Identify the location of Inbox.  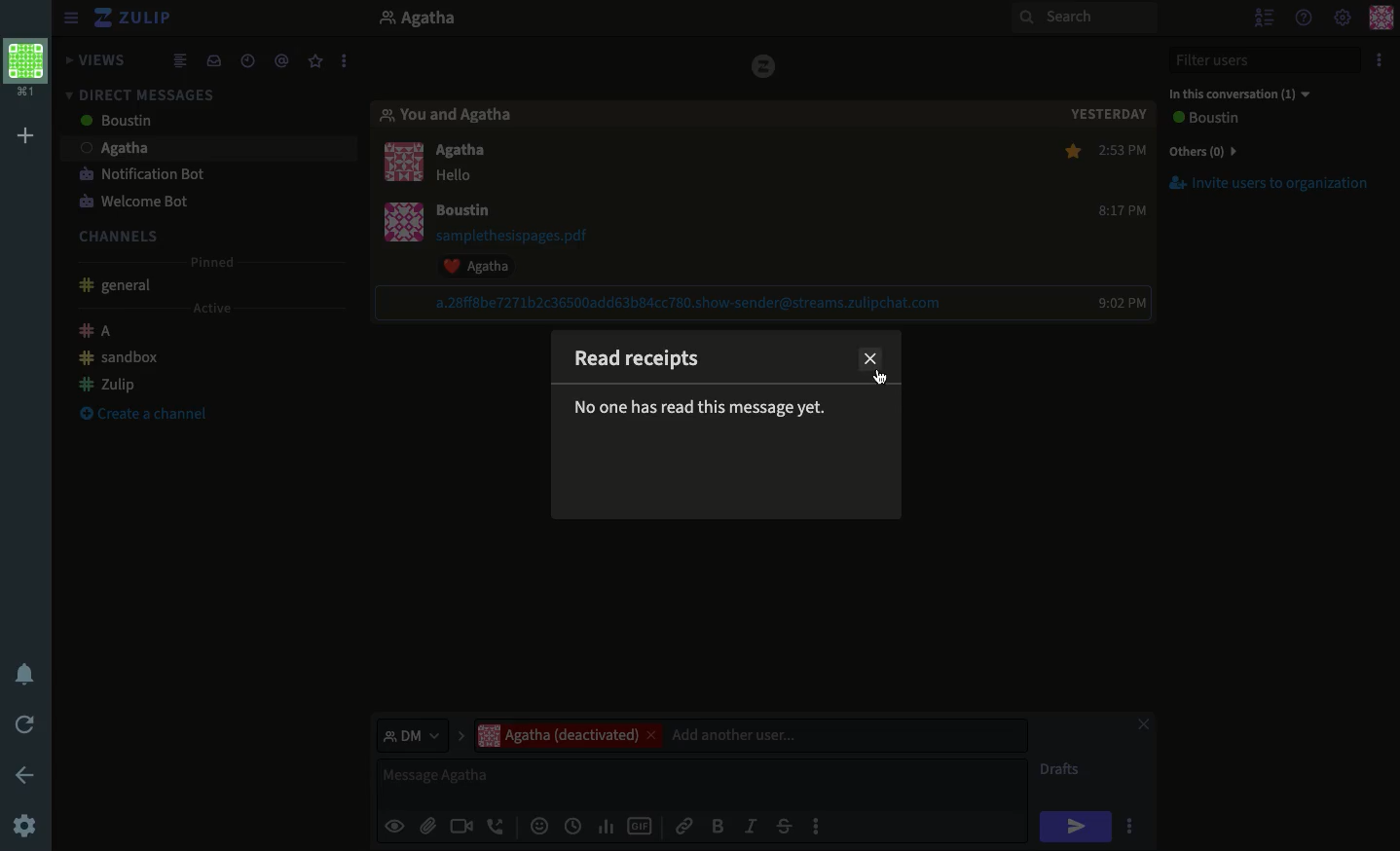
(203, 91).